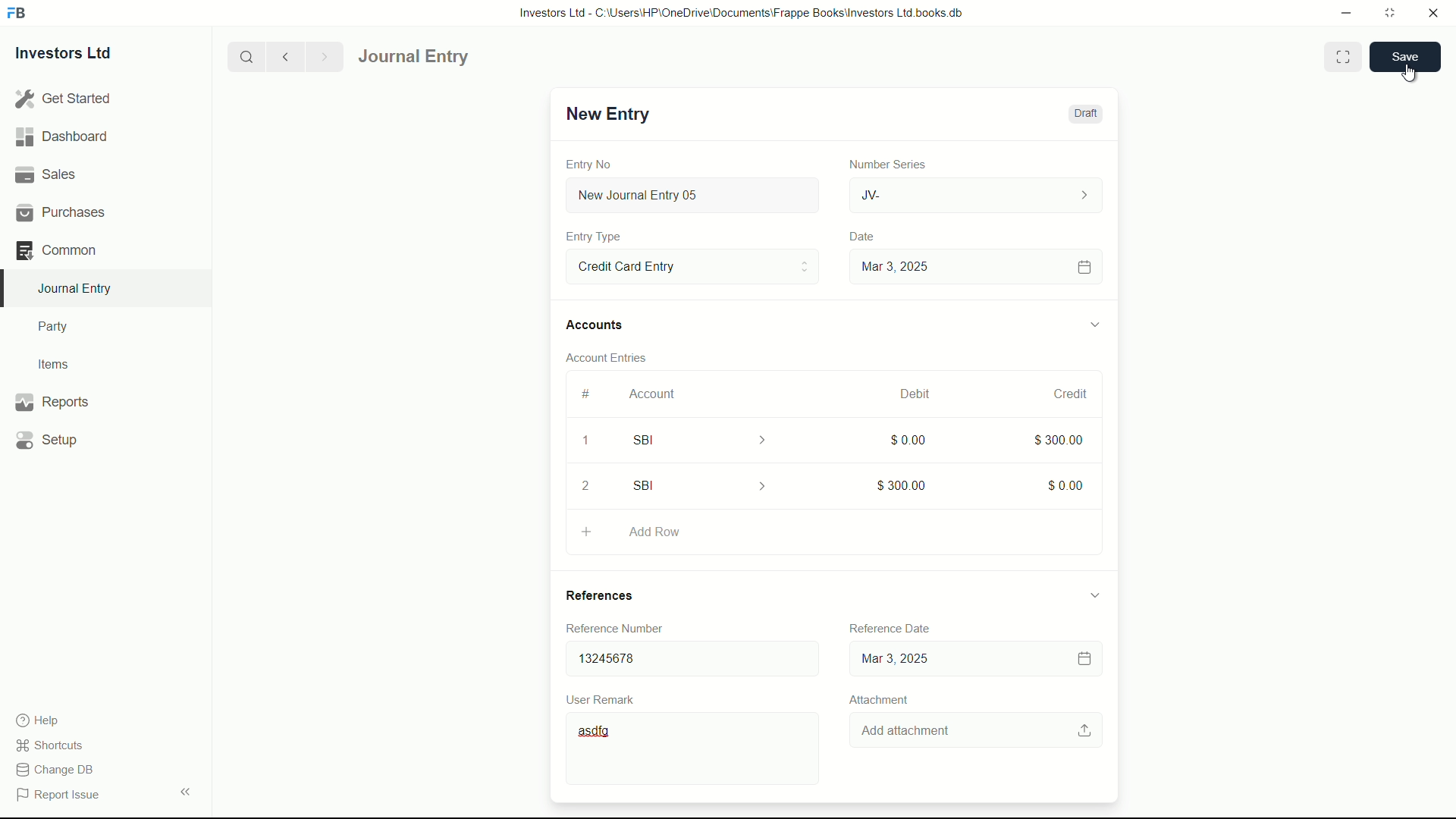  I want to click on Toggle between form and full width, so click(1344, 57).